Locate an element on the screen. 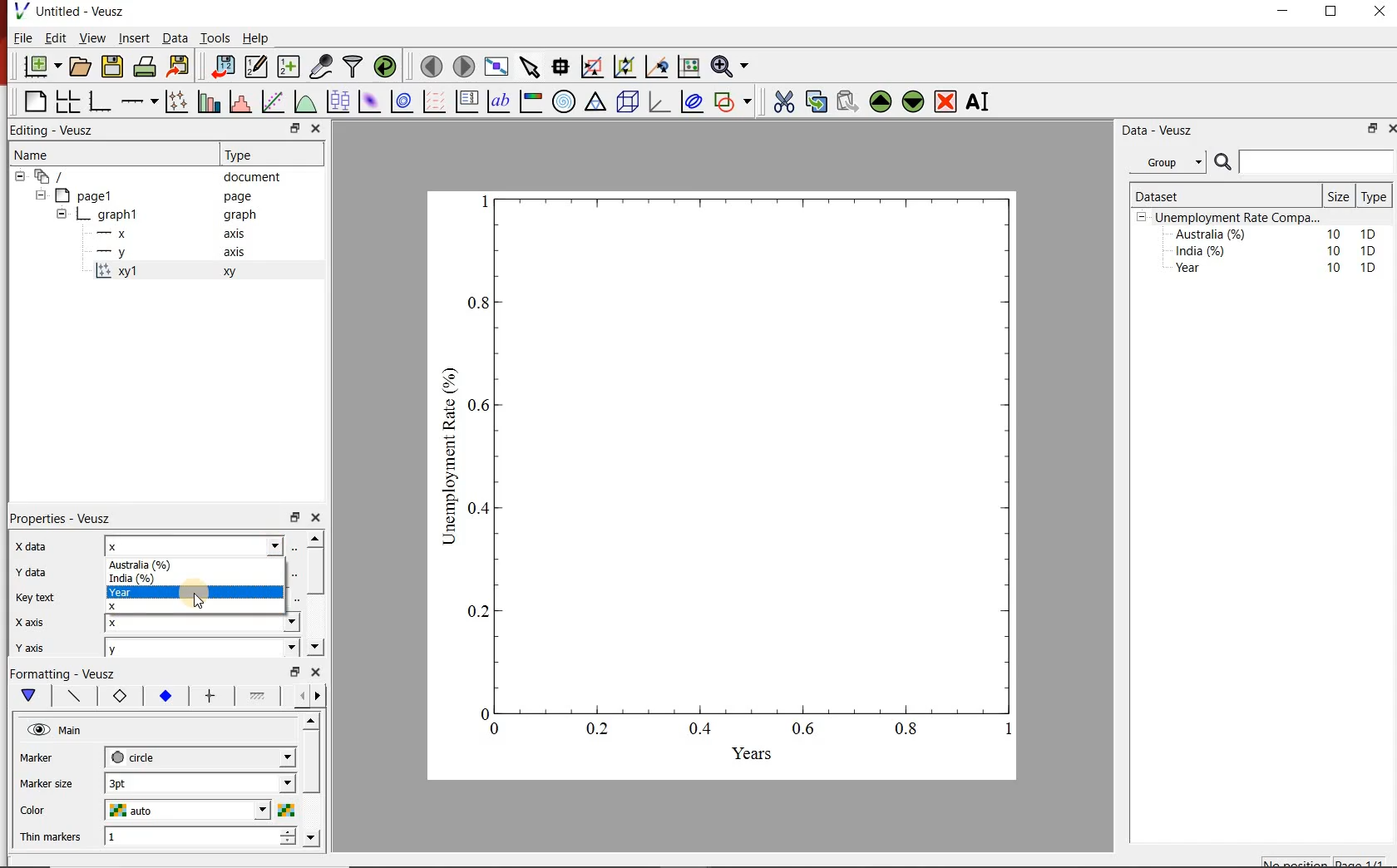  ‘document is located at coordinates (155, 175).